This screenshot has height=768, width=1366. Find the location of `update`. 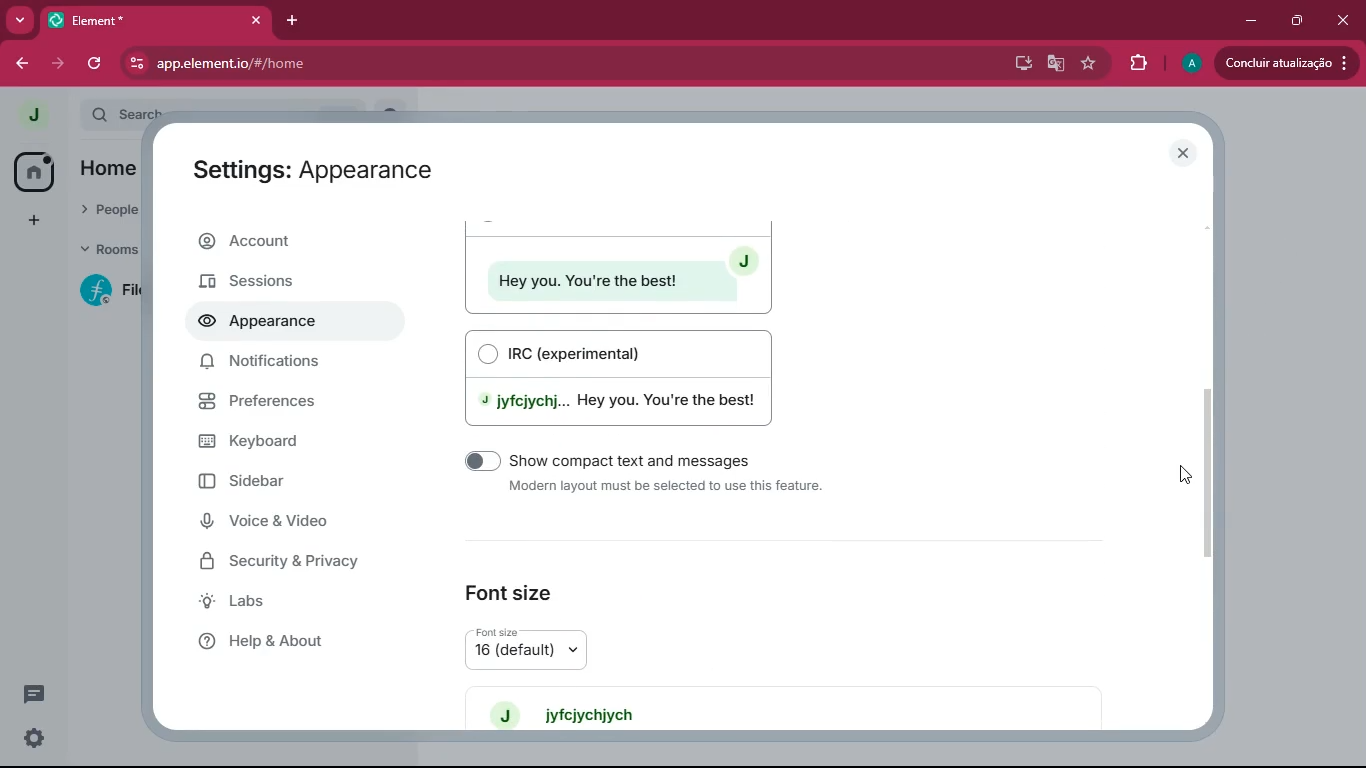

update is located at coordinates (1286, 63).